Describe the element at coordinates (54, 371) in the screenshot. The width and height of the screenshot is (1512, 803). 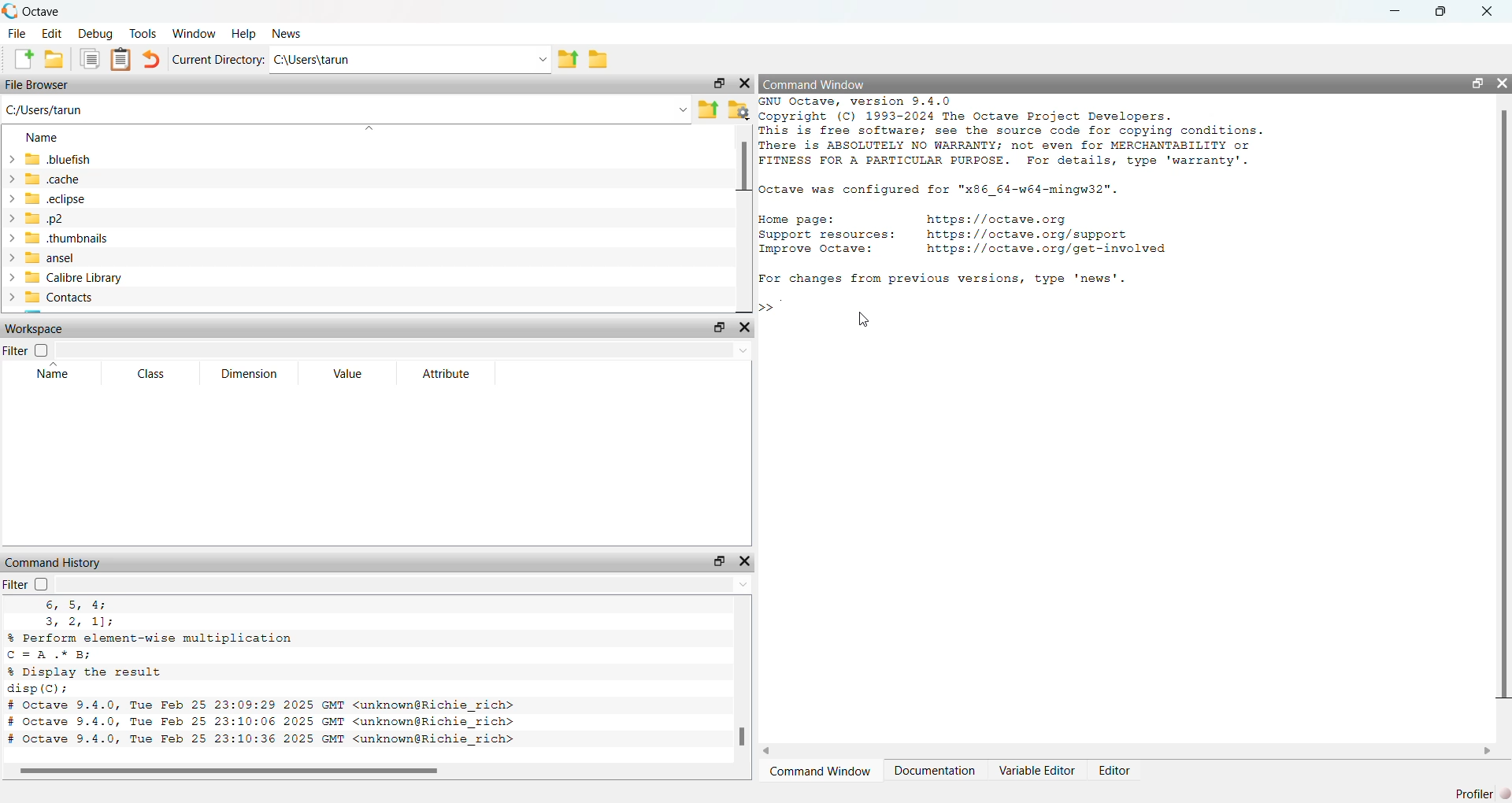
I see `Name` at that location.